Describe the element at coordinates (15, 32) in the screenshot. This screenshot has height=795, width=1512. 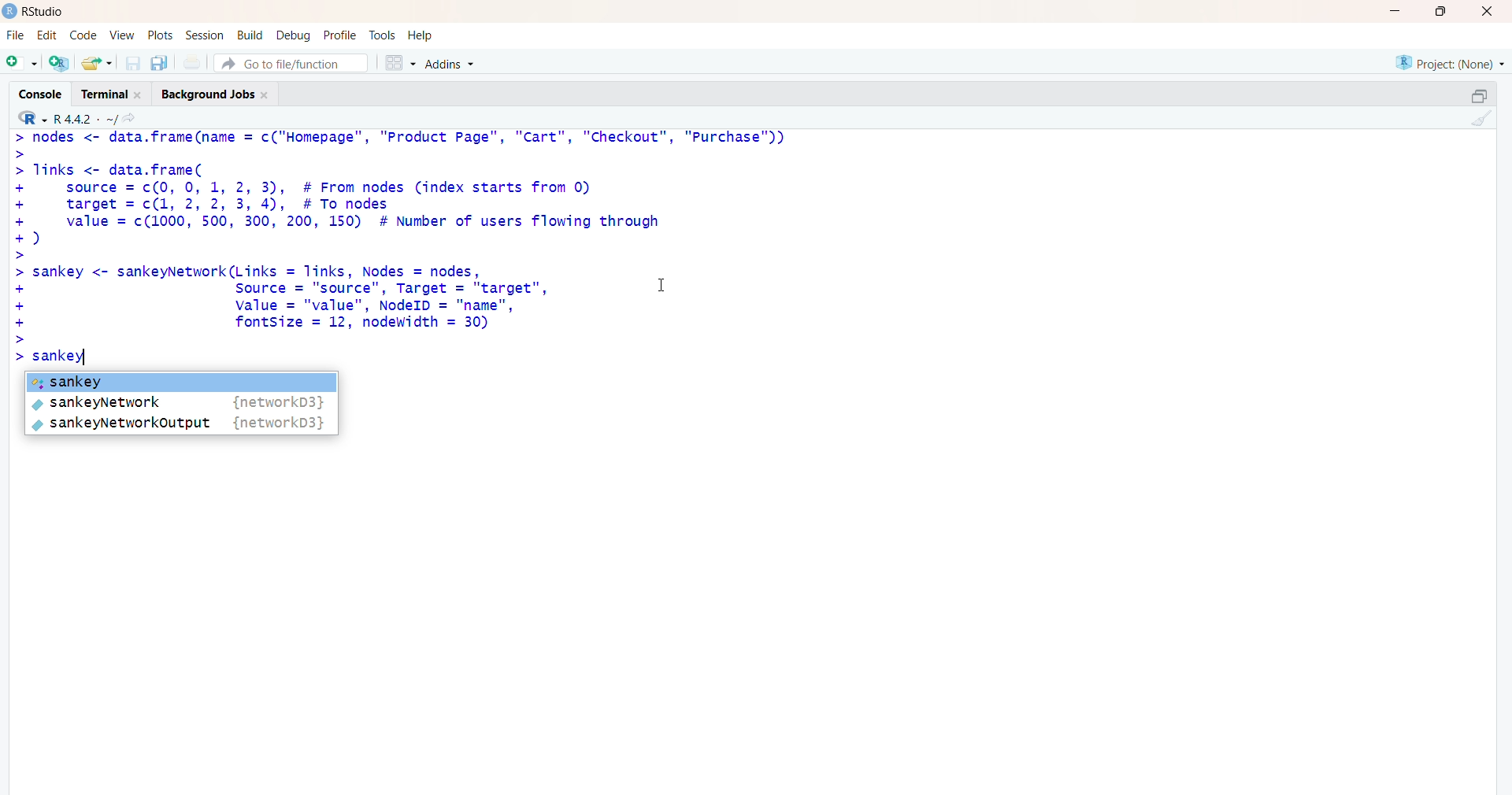
I see `file` at that location.